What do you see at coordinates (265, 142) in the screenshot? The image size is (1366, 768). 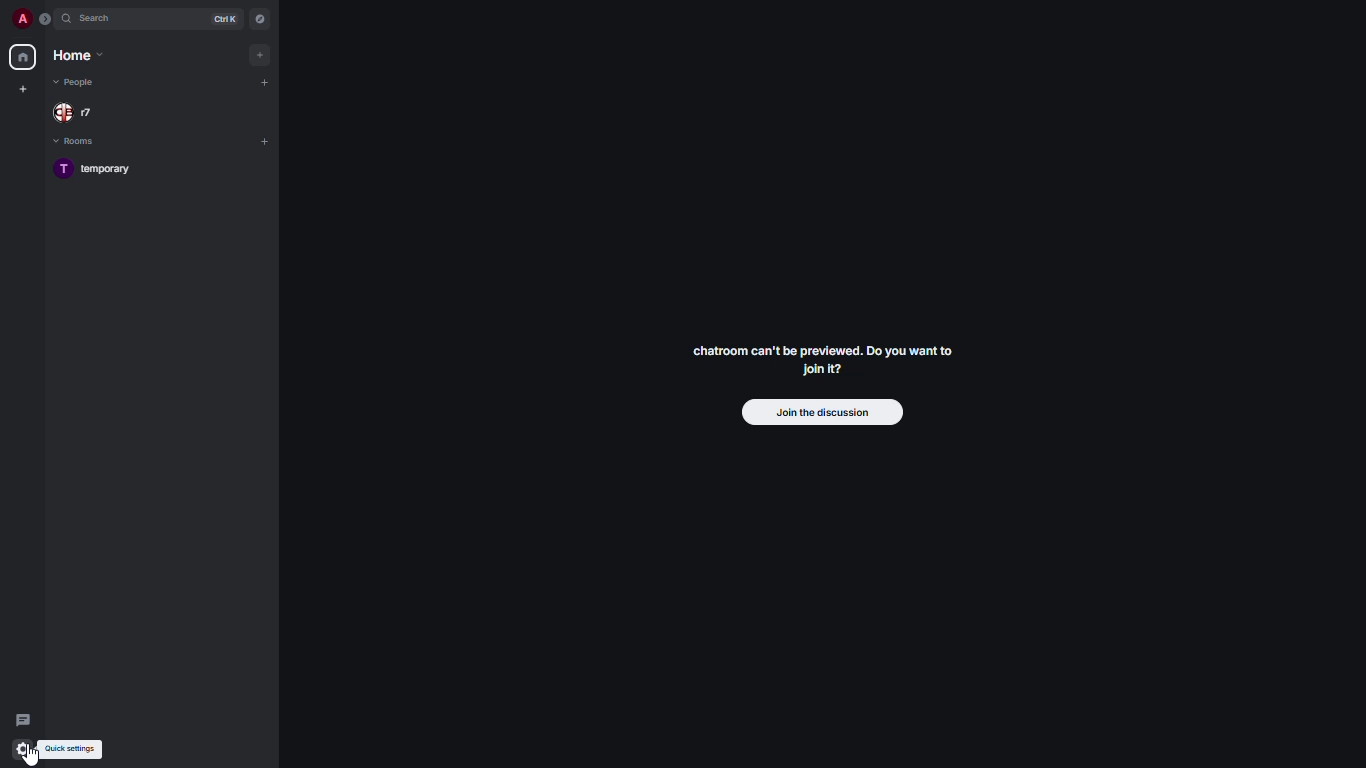 I see `add` at bounding box center [265, 142].